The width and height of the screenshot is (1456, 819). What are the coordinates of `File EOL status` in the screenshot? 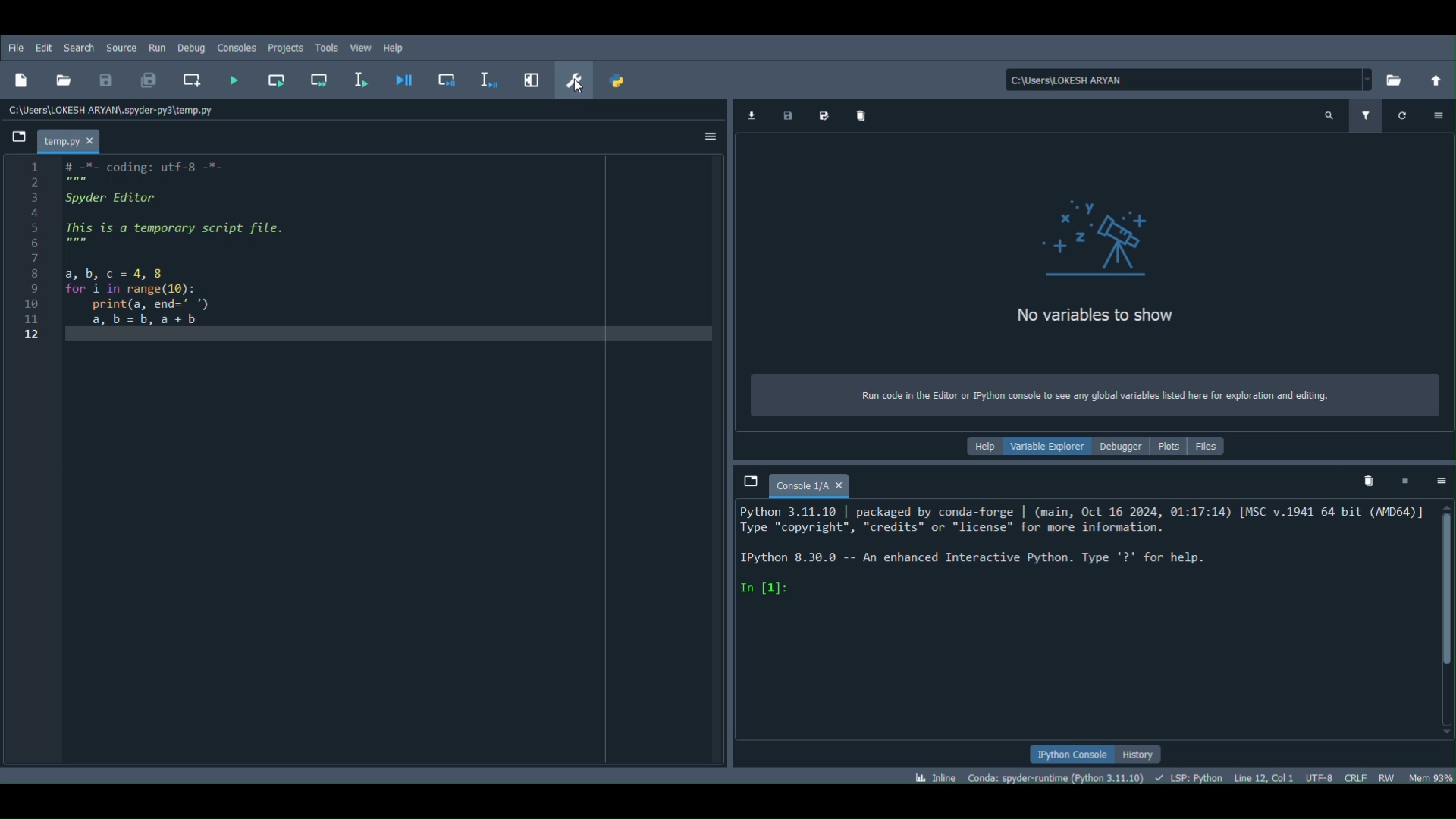 It's located at (1354, 779).